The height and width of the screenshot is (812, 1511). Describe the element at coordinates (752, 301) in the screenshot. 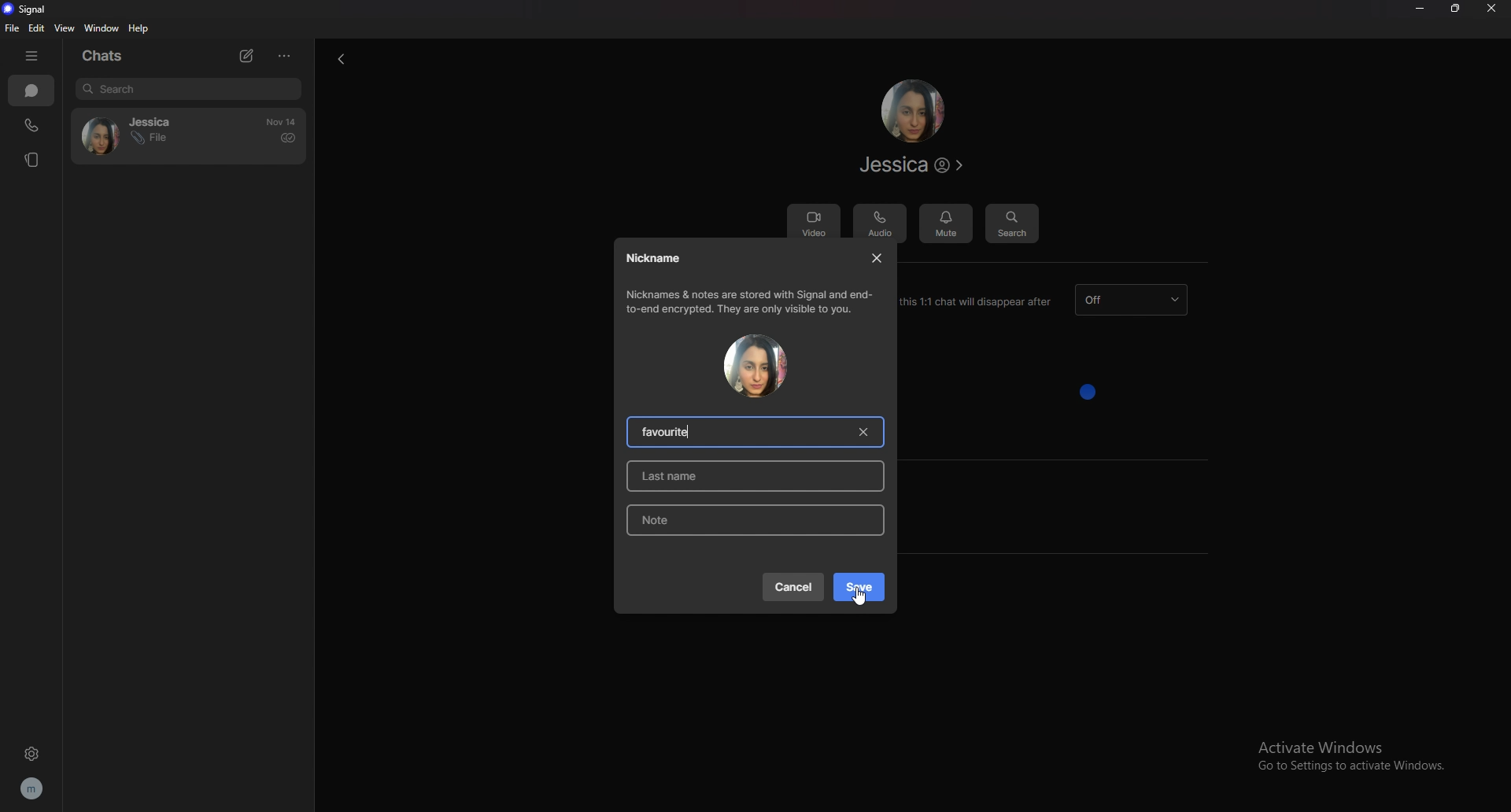

I see `info` at that location.